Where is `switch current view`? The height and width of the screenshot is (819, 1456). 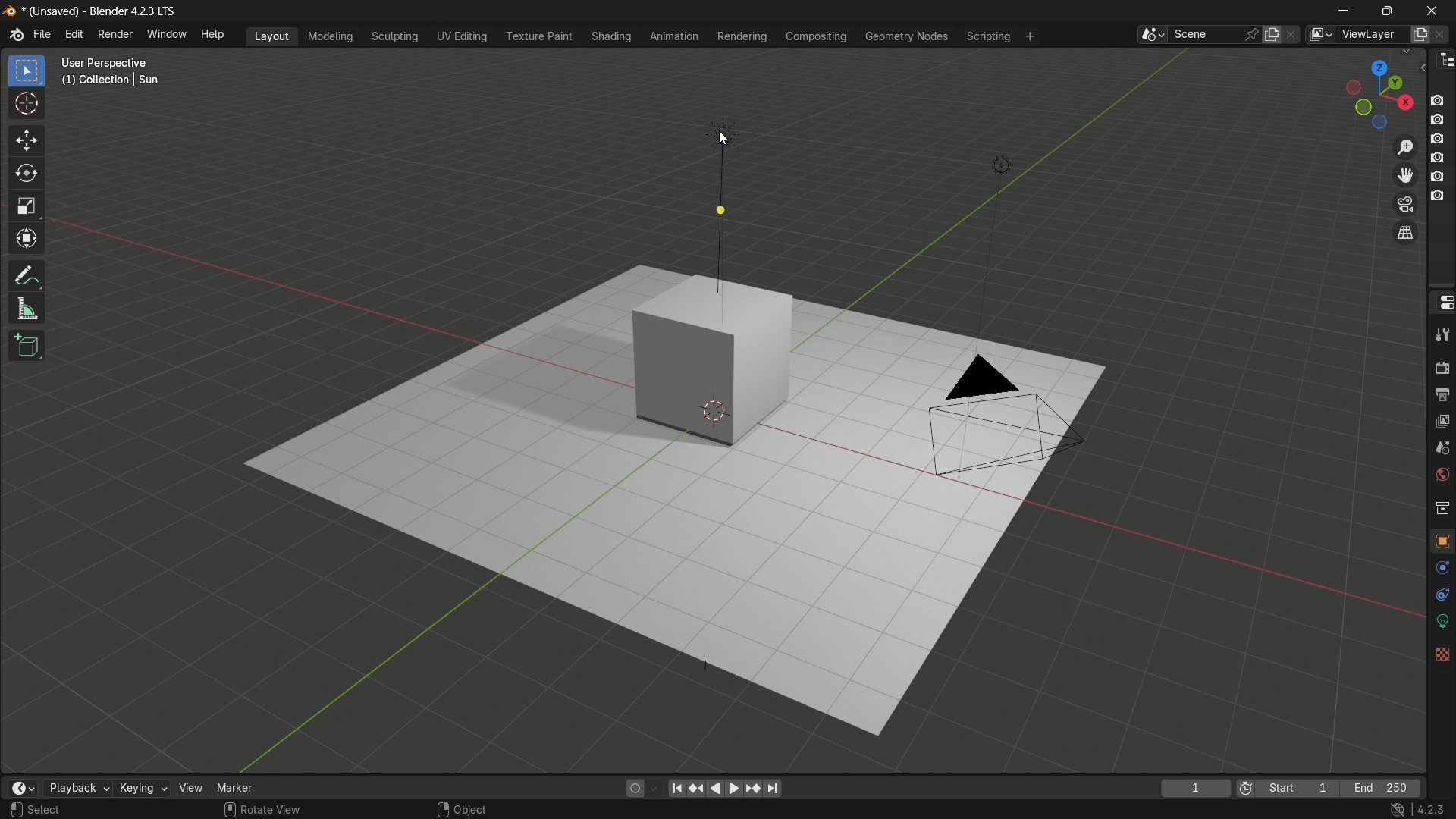
switch current view is located at coordinates (1407, 233).